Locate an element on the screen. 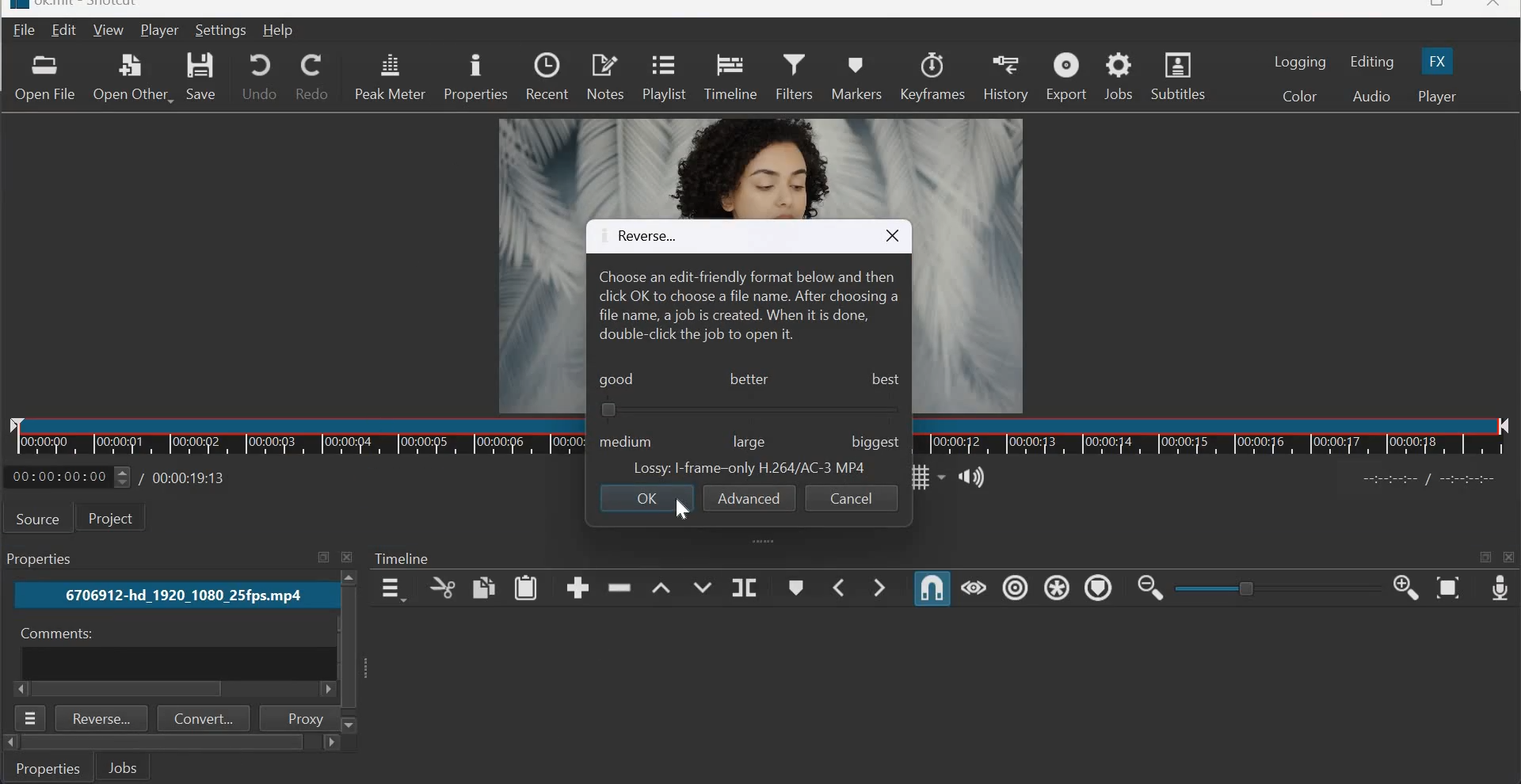 This screenshot has width=1521, height=784. mp4 file is located at coordinates (173, 596).